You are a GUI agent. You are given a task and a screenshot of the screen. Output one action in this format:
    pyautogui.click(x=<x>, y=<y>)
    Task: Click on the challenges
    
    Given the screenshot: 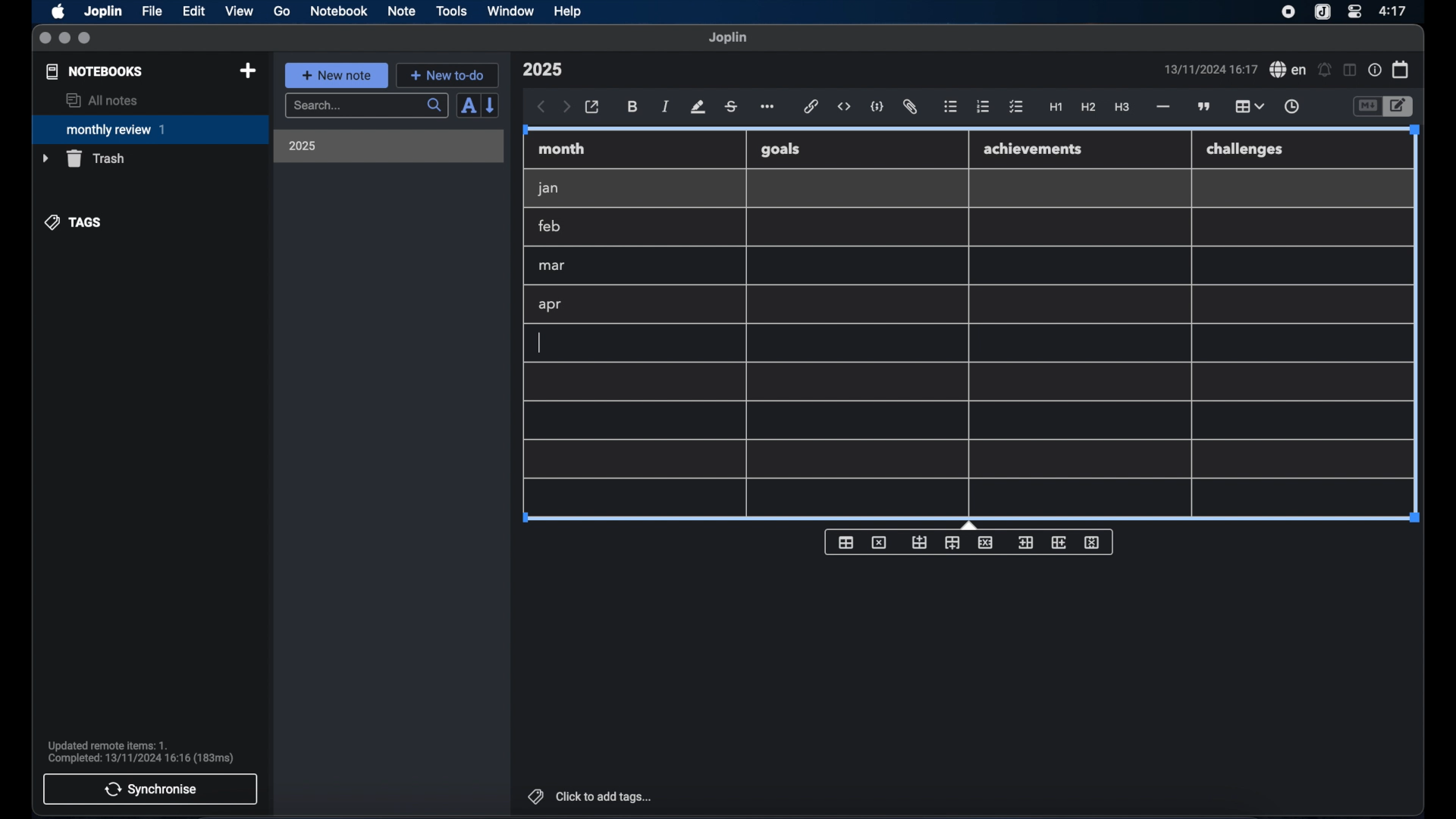 What is the action you would take?
    pyautogui.click(x=1246, y=150)
    